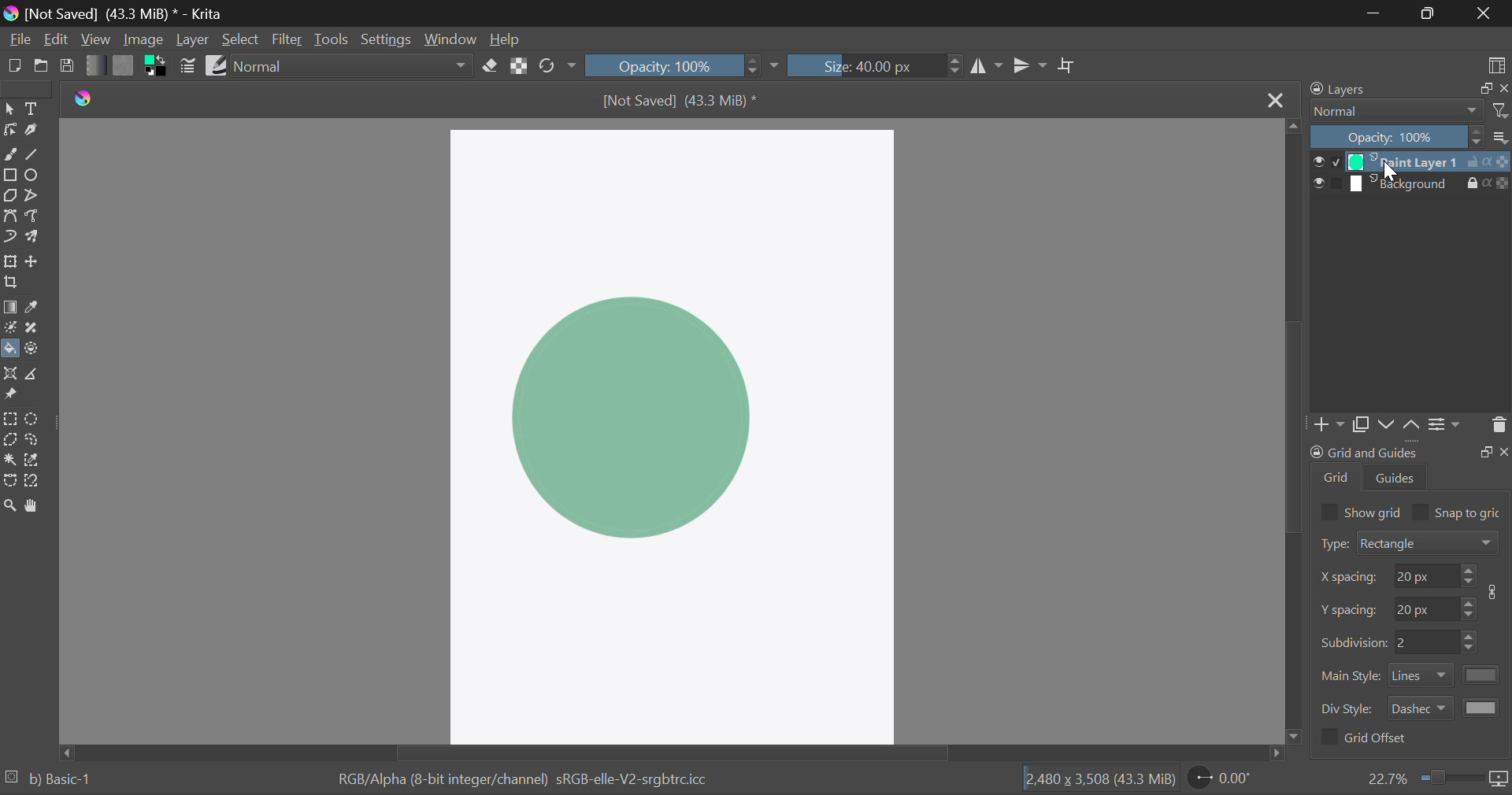  I want to click on Freehand Path Tool, so click(33, 215).